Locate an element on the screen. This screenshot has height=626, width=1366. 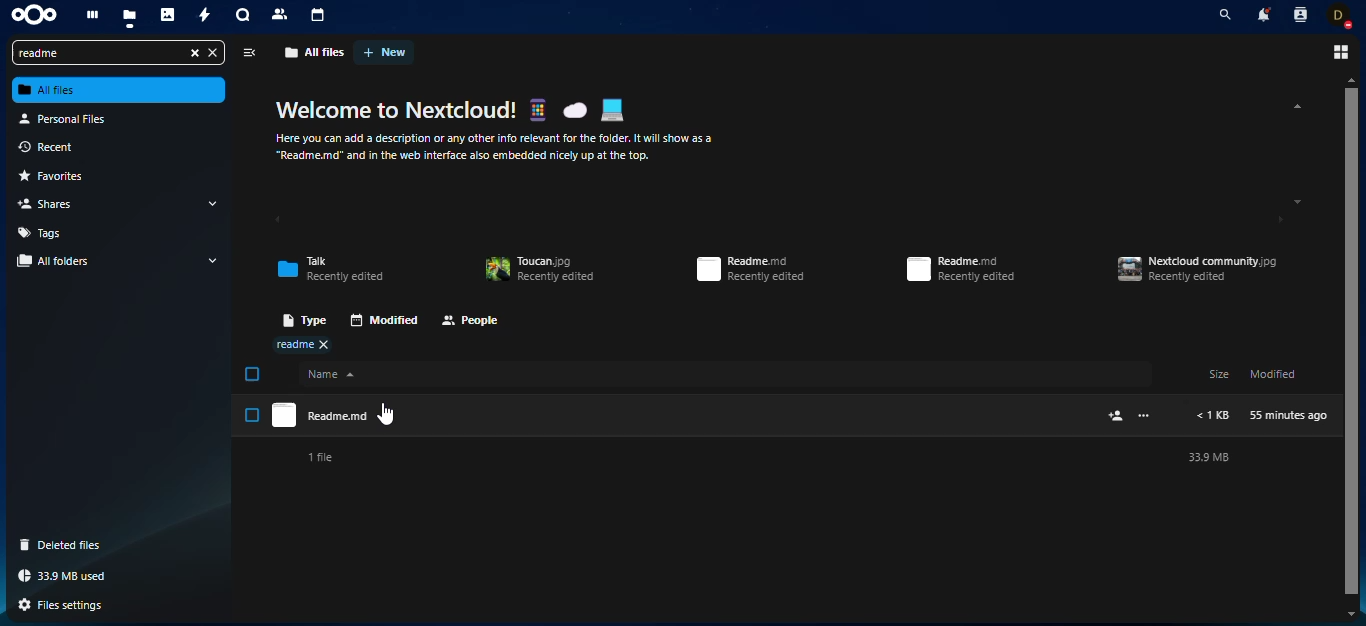
scroll left is located at coordinates (277, 221).